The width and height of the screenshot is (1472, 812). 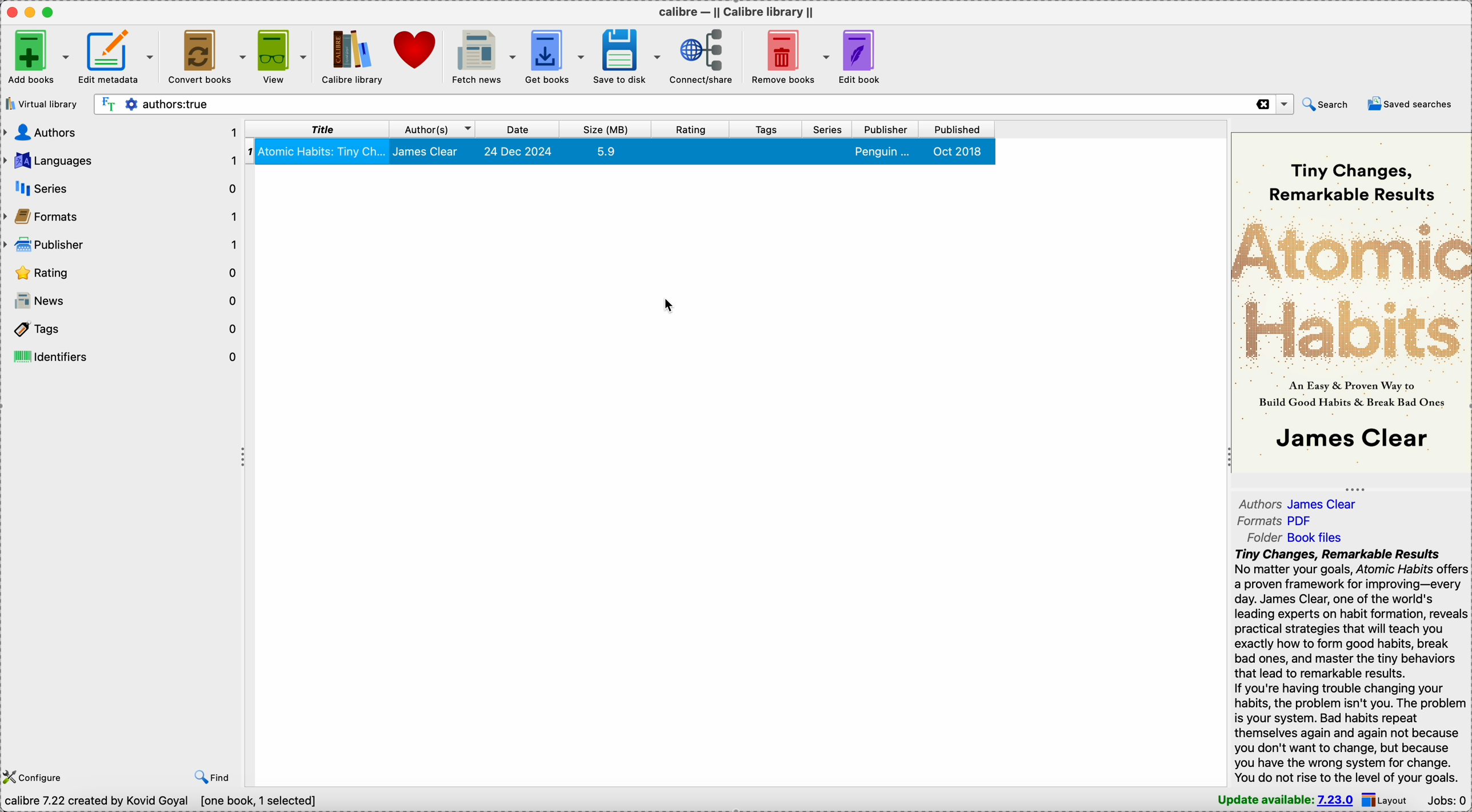 I want to click on toggle expand/contract, so click(x=243, y=457).